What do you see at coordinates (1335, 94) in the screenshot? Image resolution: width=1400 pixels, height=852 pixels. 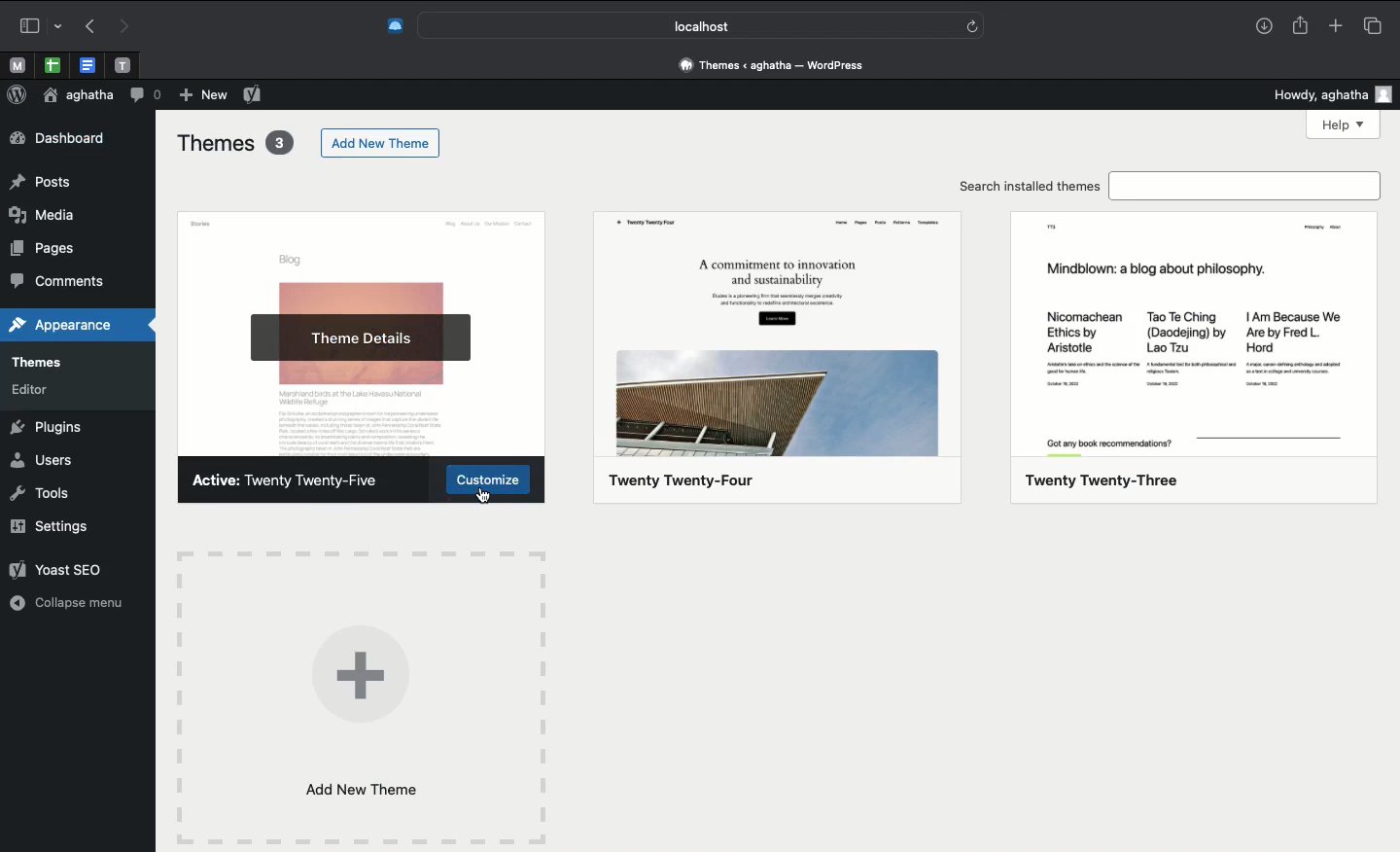 I see `Howdy user` at bounding box center [1335, 94].